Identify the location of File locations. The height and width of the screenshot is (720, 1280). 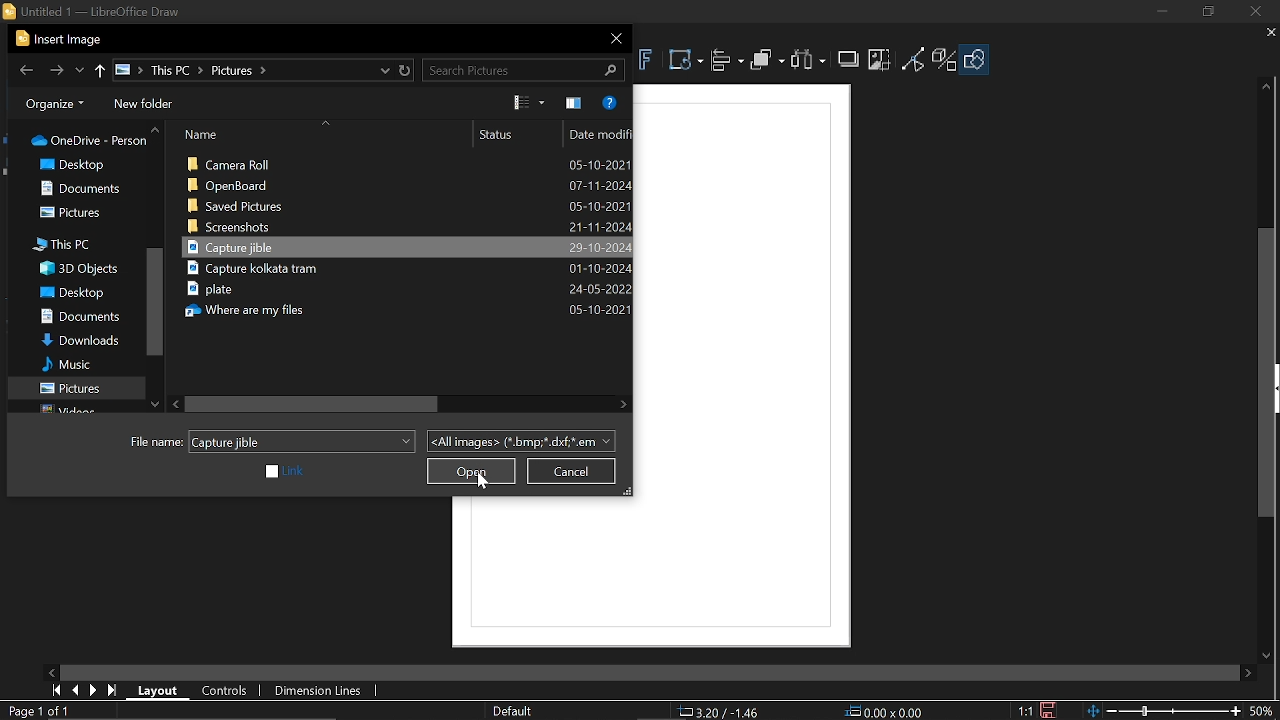
(254, 70).